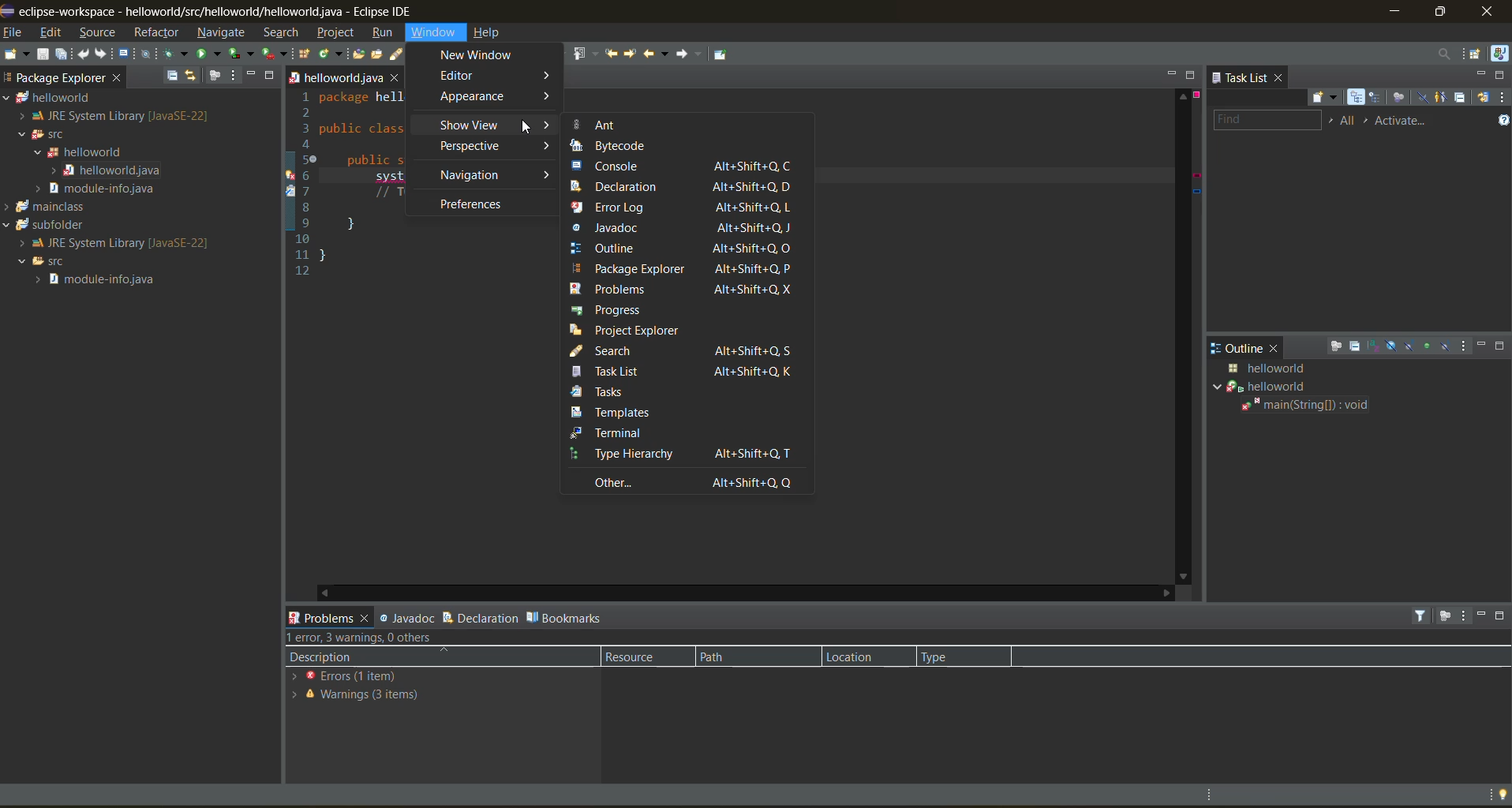  I want to click on task list, so click(691, 371).